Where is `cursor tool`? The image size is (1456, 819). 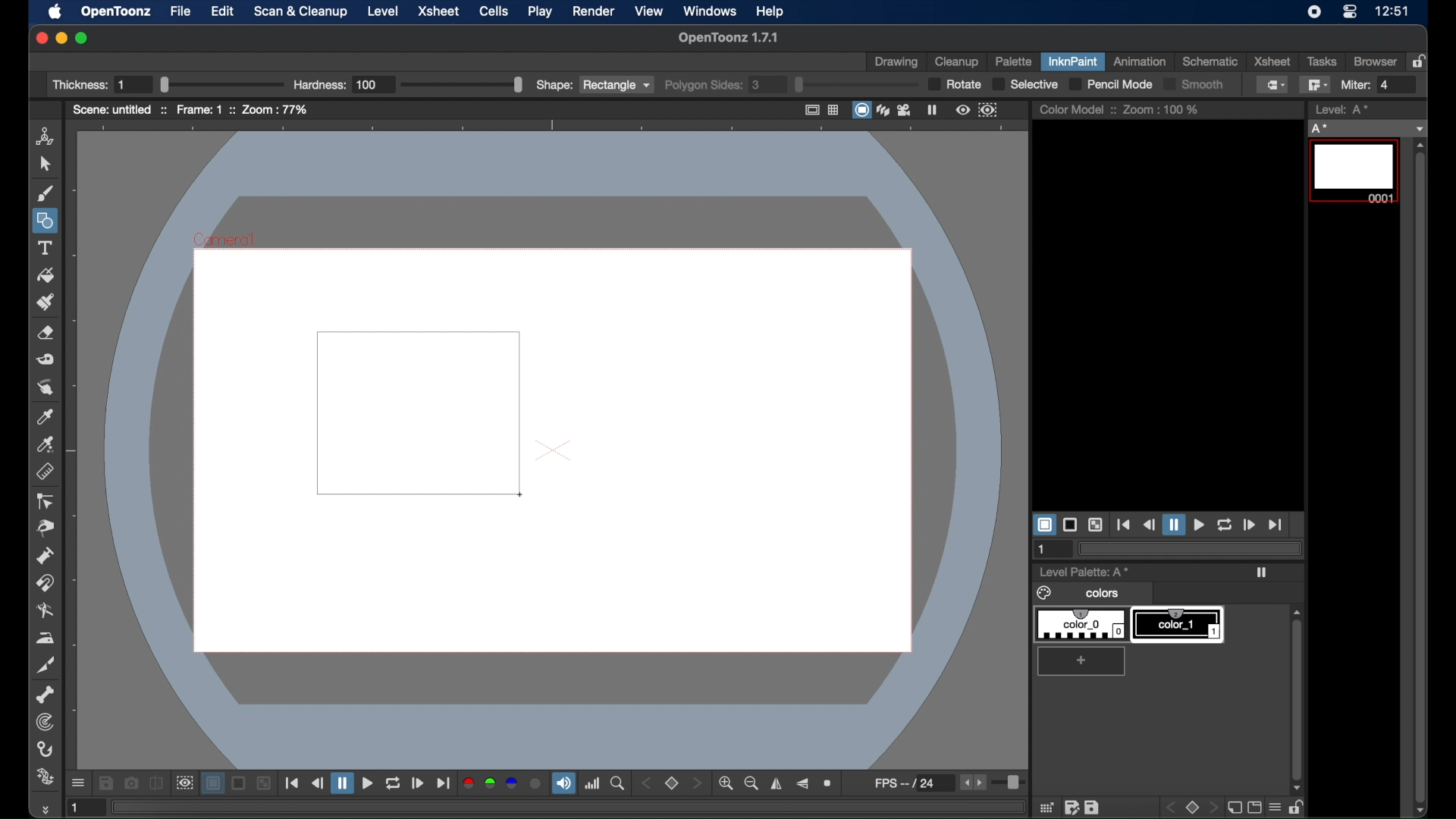 cursor tool is located at coordinates (45, 164).